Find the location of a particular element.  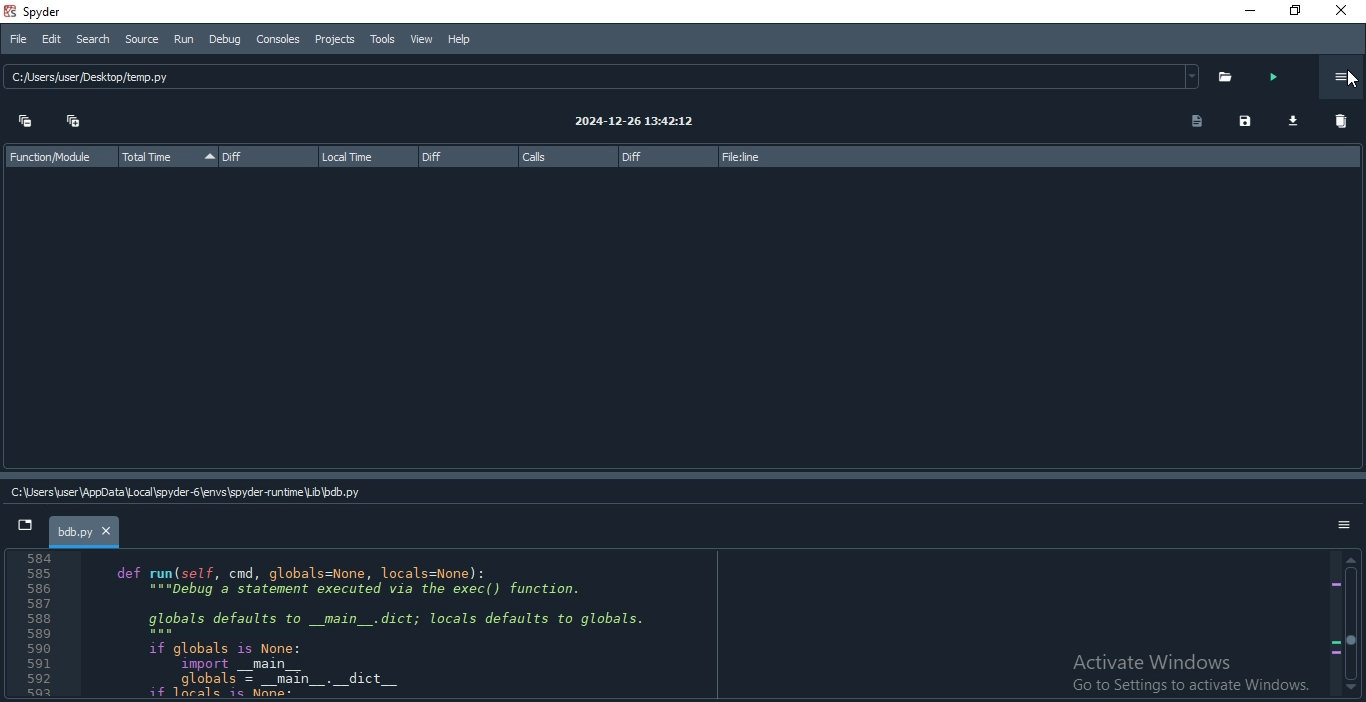

Diff is located at coordinates (468, 157).